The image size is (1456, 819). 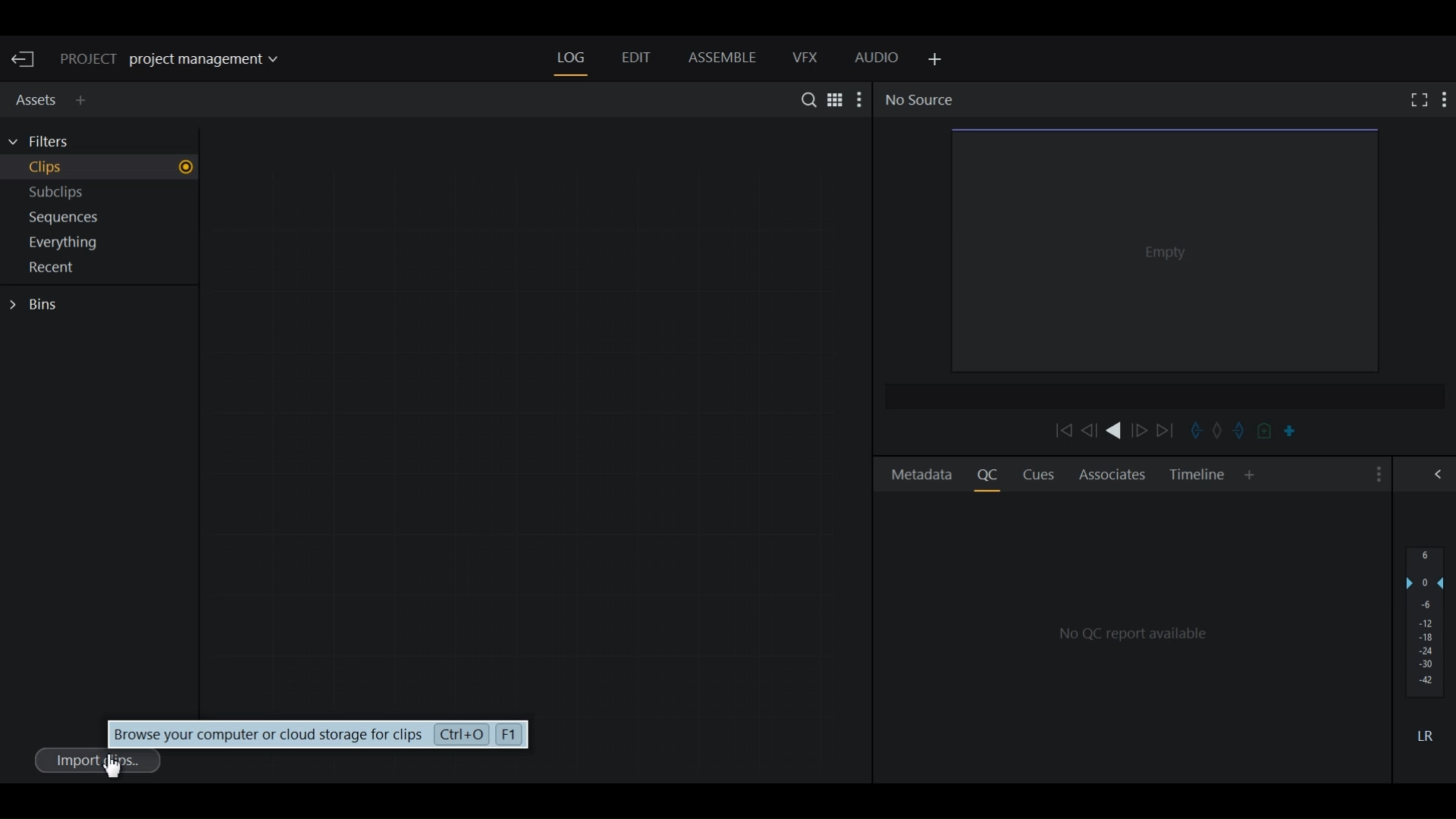 I want to click on Show sequences in current project, so click(x=103, y=219).